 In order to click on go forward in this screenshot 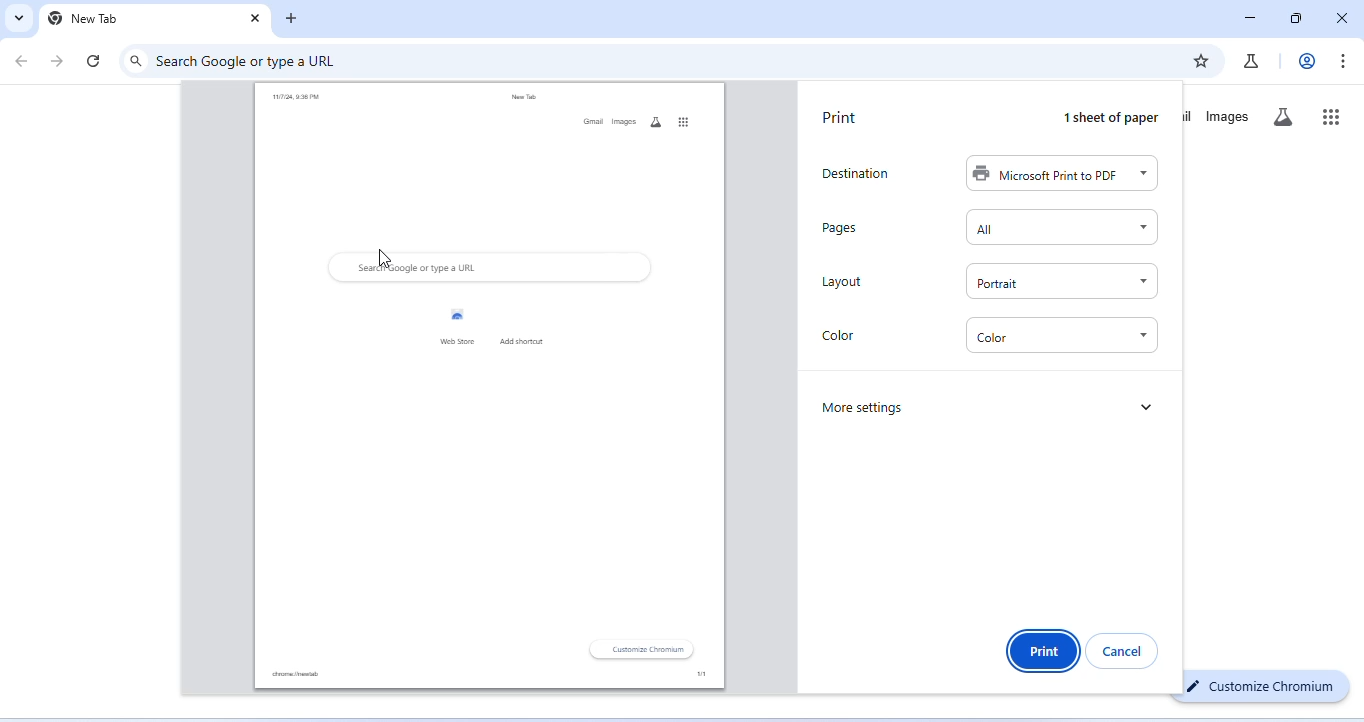, I will do `click(60, 60)`.